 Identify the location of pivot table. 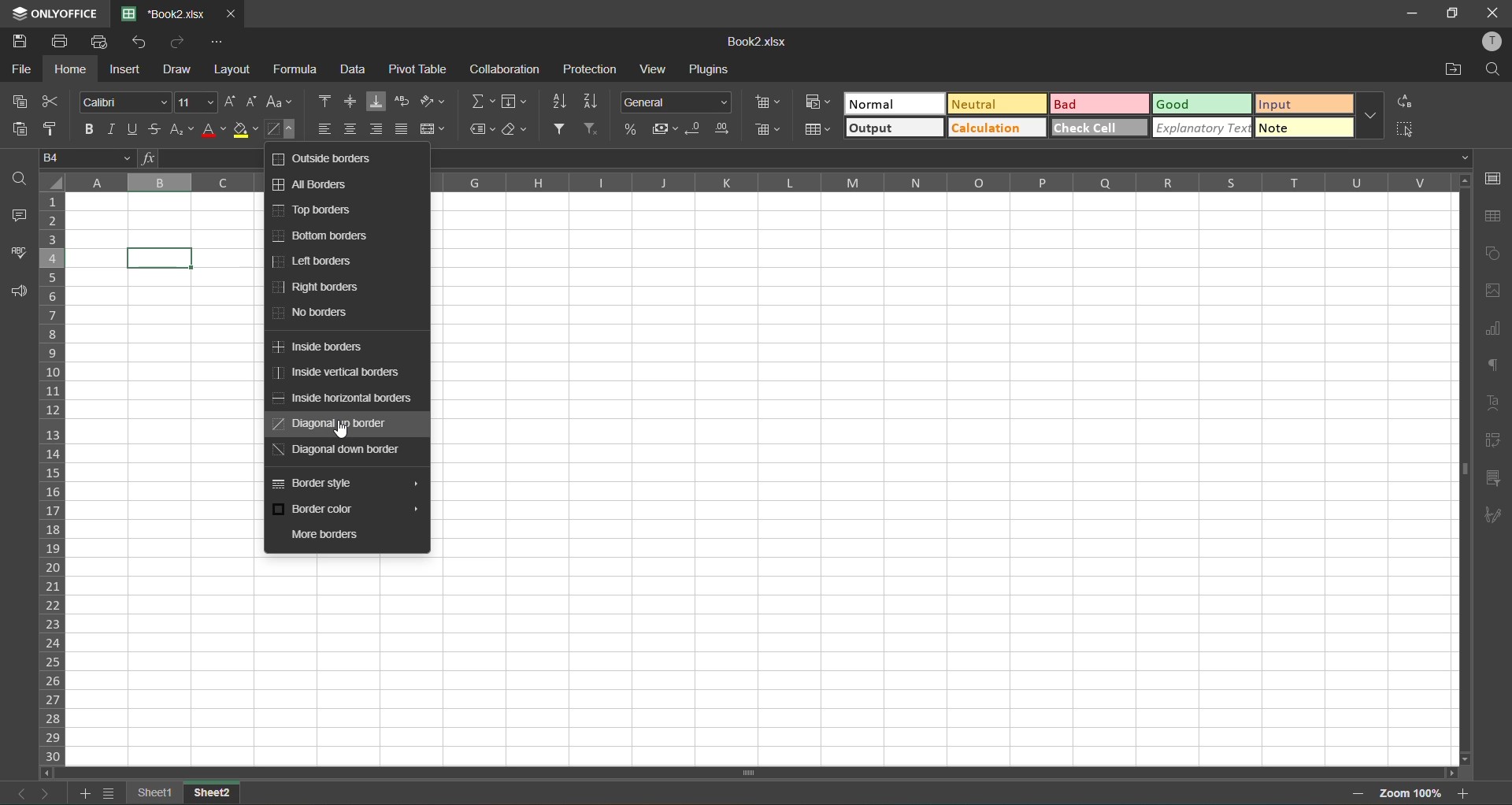
(1492, 440).